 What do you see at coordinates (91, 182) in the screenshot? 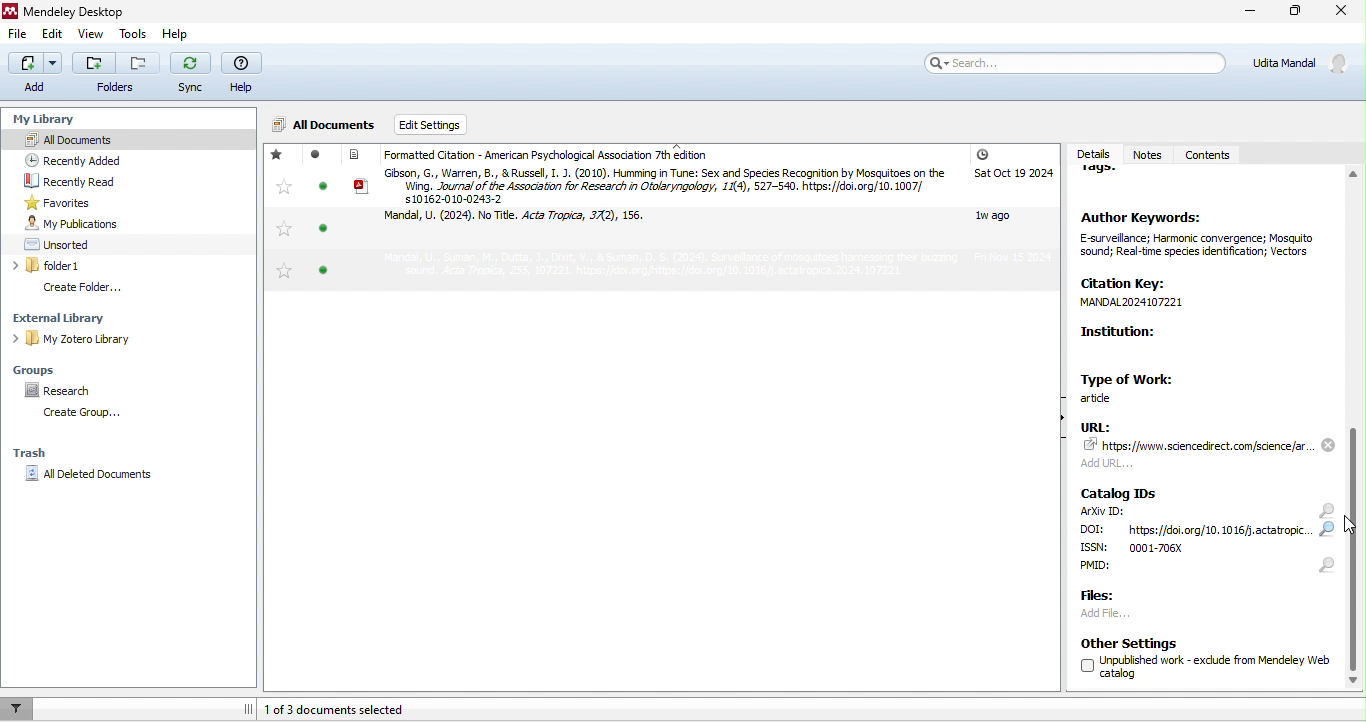
I see `recently read` at bounding box center [91, 182].